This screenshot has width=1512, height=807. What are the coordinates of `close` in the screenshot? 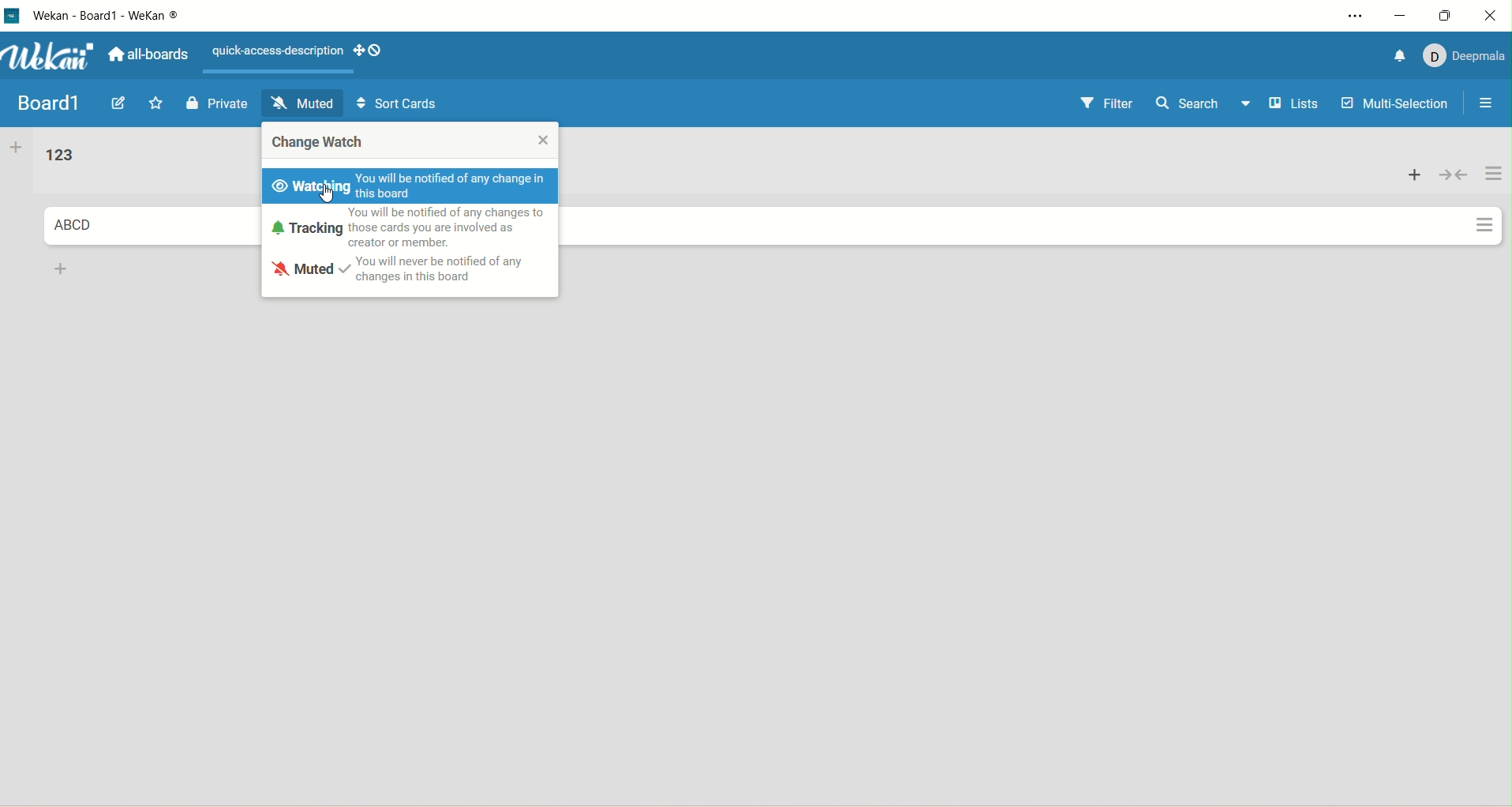 It's located at (543, 140).